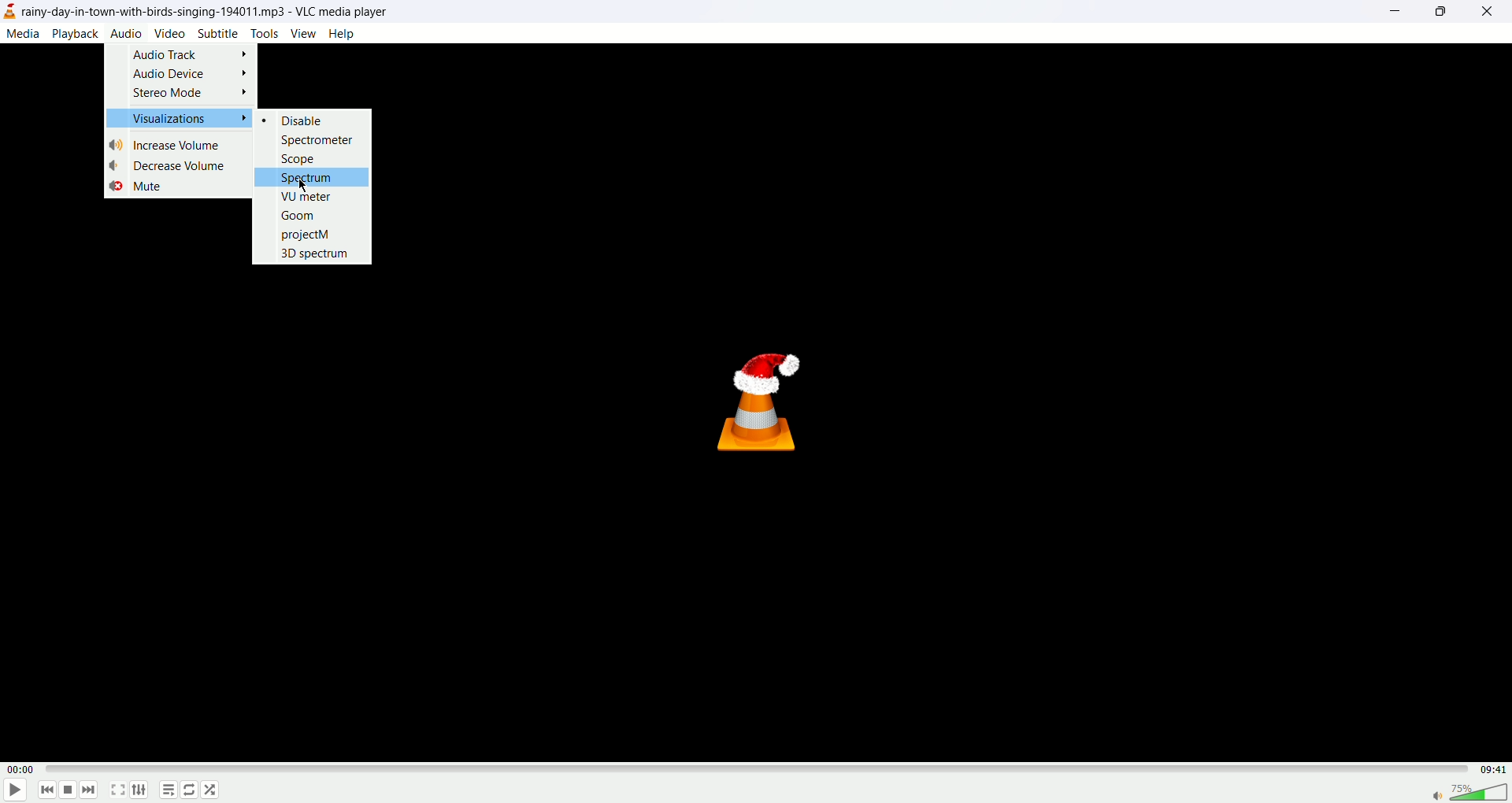 The height and width of the screenshot is (803, 1512). What do you see at coordinates (1470, 791) in the screenshot?
I see `volume bar` at bounding box center [1470, 791].